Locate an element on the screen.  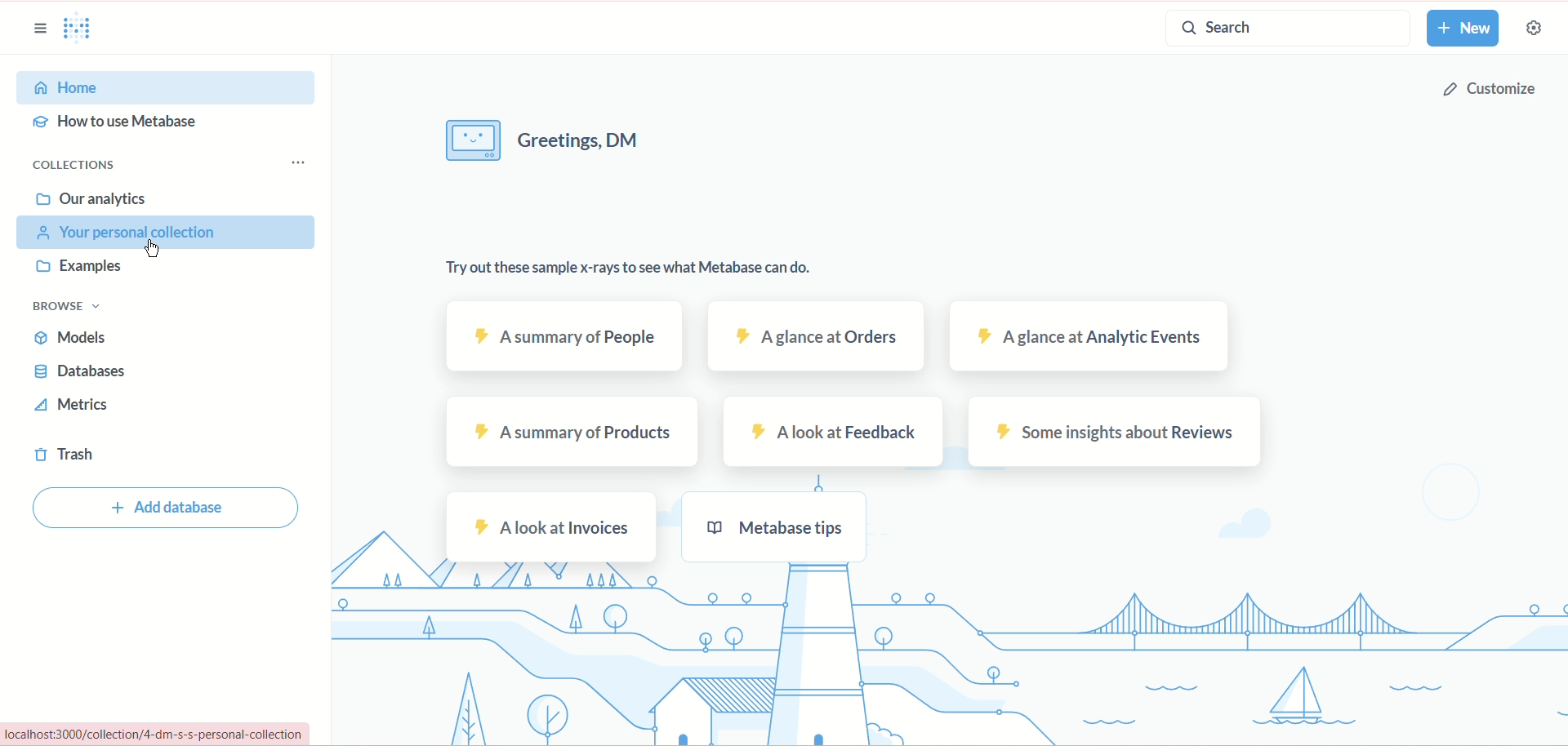
settings is located at coordinates (1532, 28).